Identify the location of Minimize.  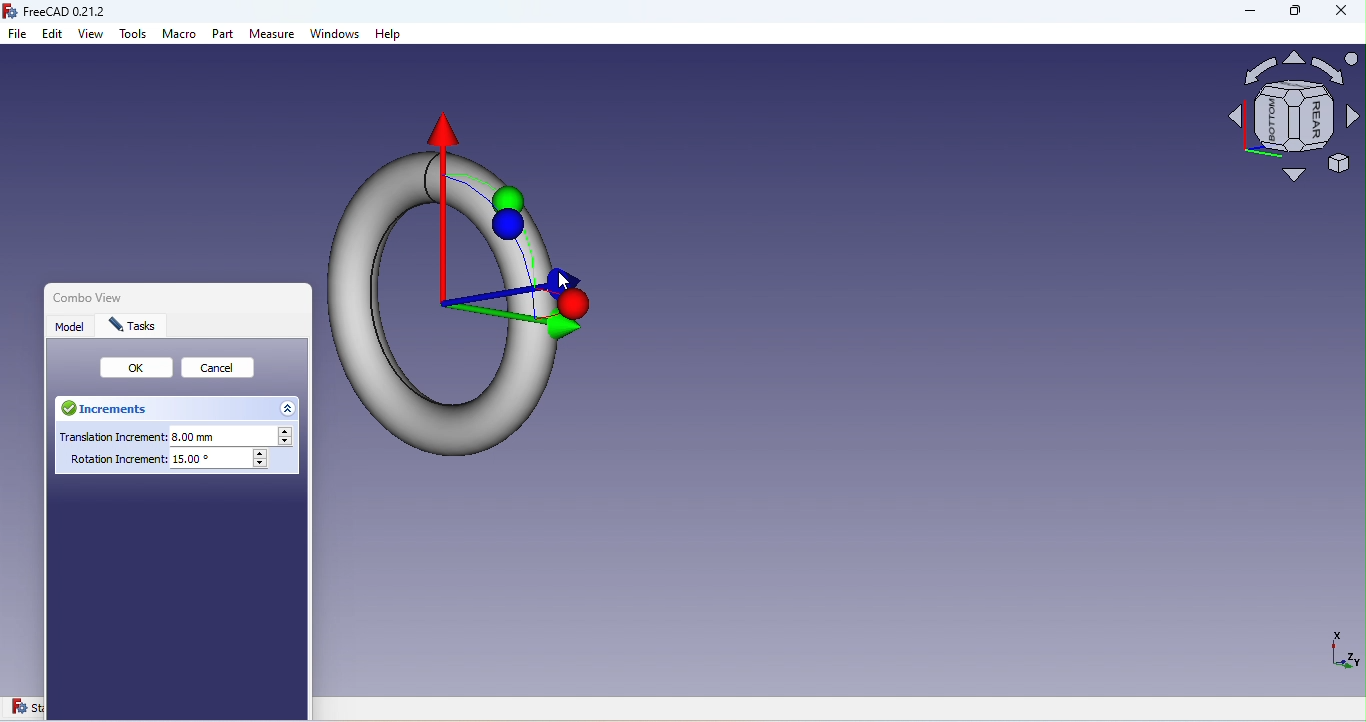
(1241, 14).